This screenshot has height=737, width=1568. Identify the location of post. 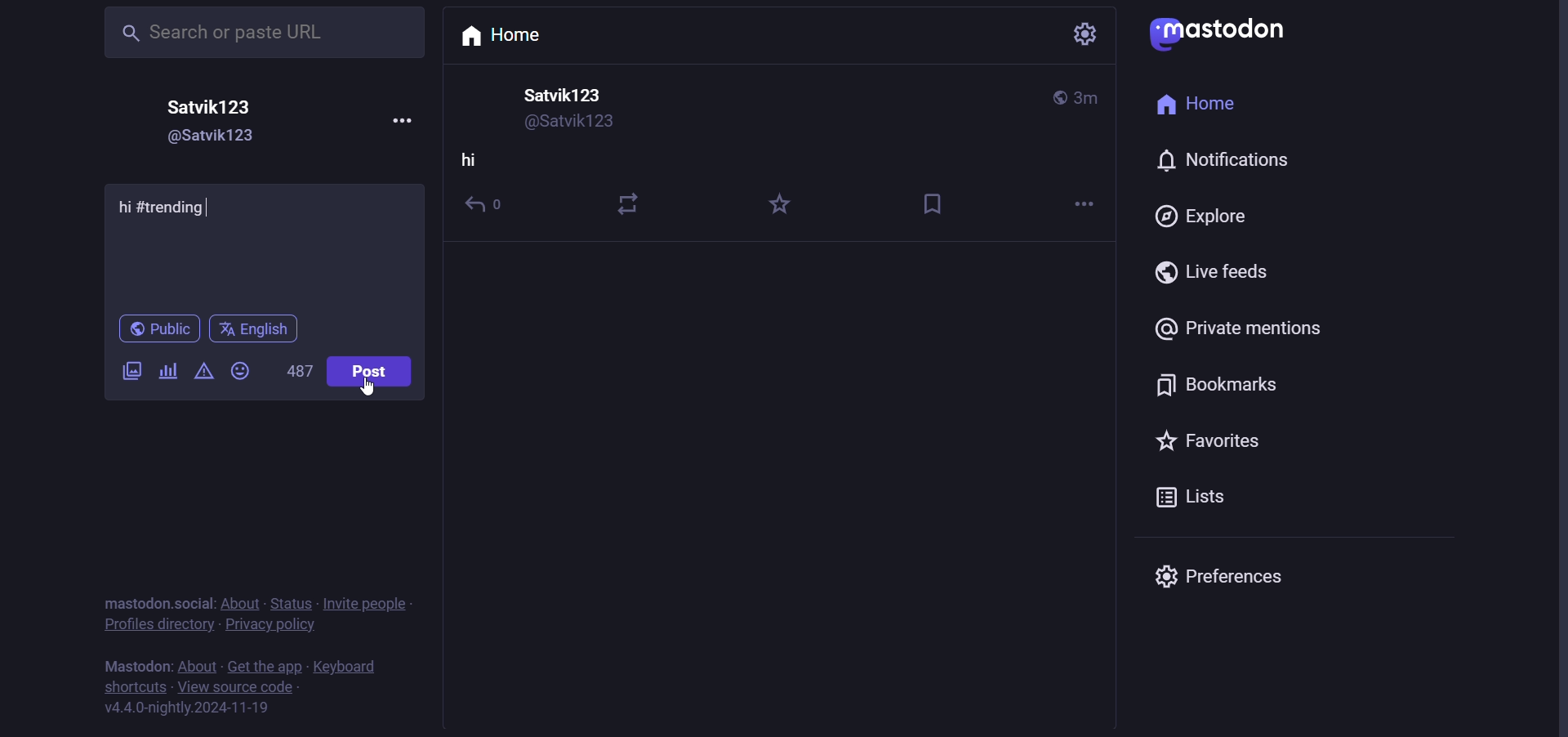
(373, 373).